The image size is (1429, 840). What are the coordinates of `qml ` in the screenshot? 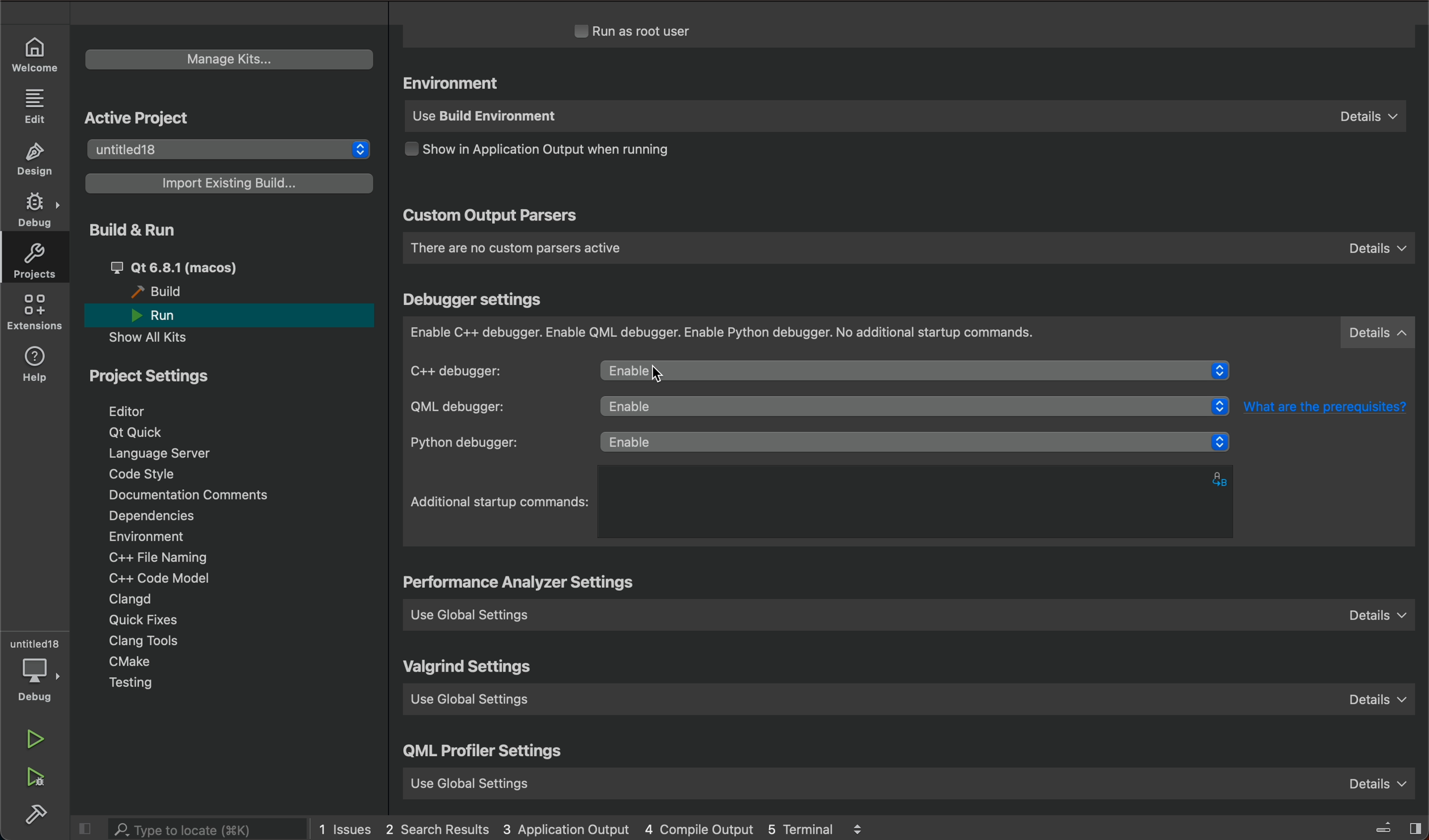 It's located at (484, 754).